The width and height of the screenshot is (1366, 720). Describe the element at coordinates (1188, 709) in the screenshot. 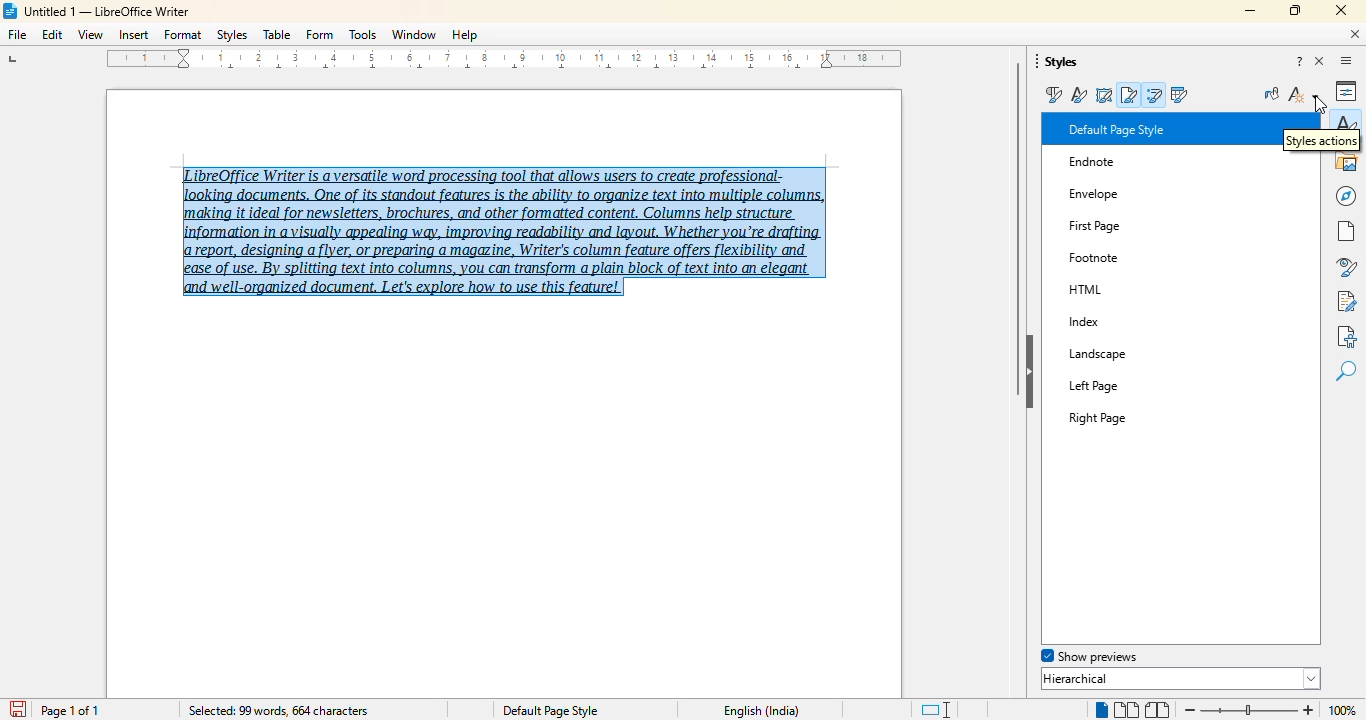

I see `zoom out` at that location.